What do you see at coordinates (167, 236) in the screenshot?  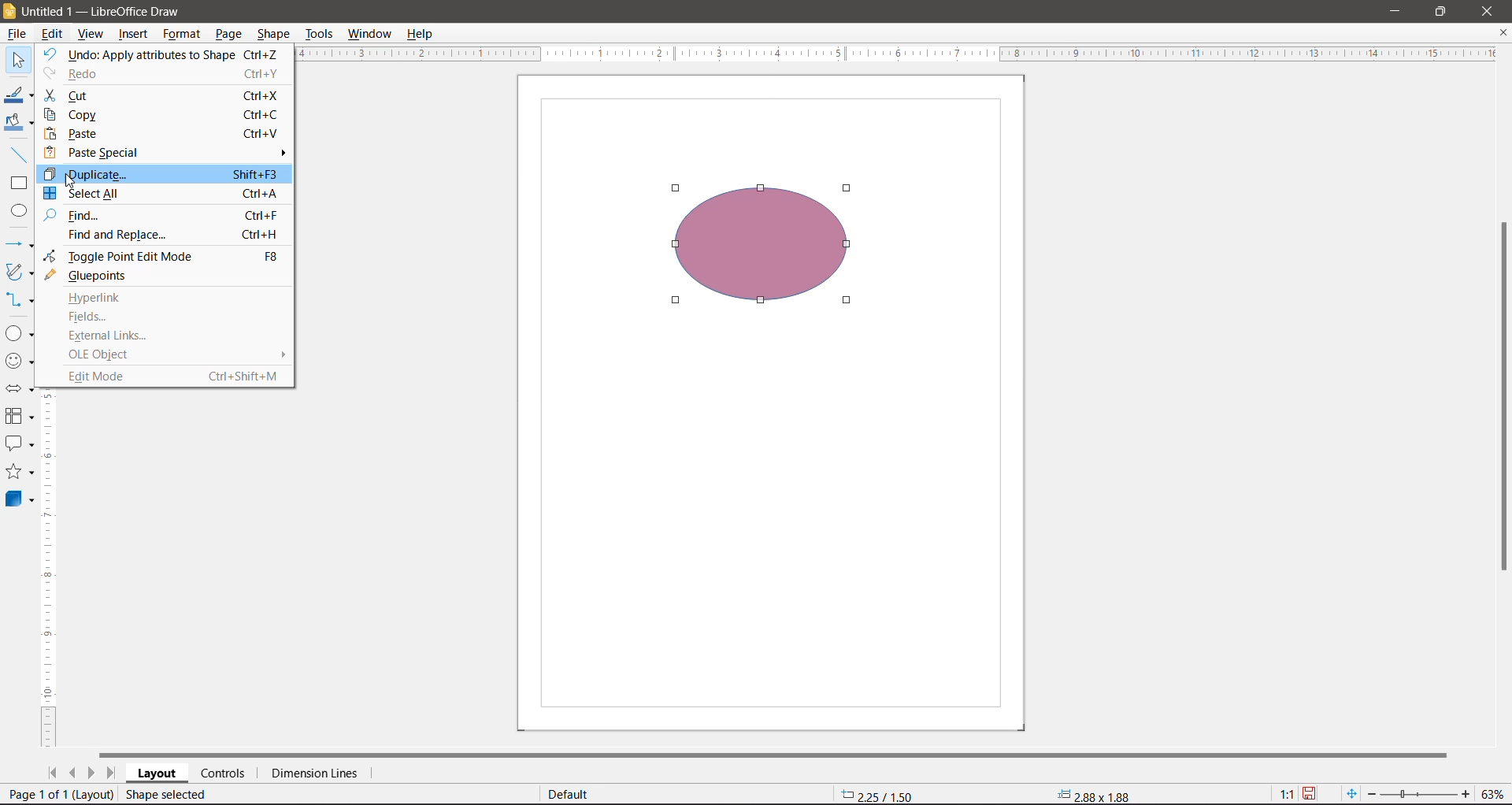 I see `Find and Replace` at bounding box center [167, 236].